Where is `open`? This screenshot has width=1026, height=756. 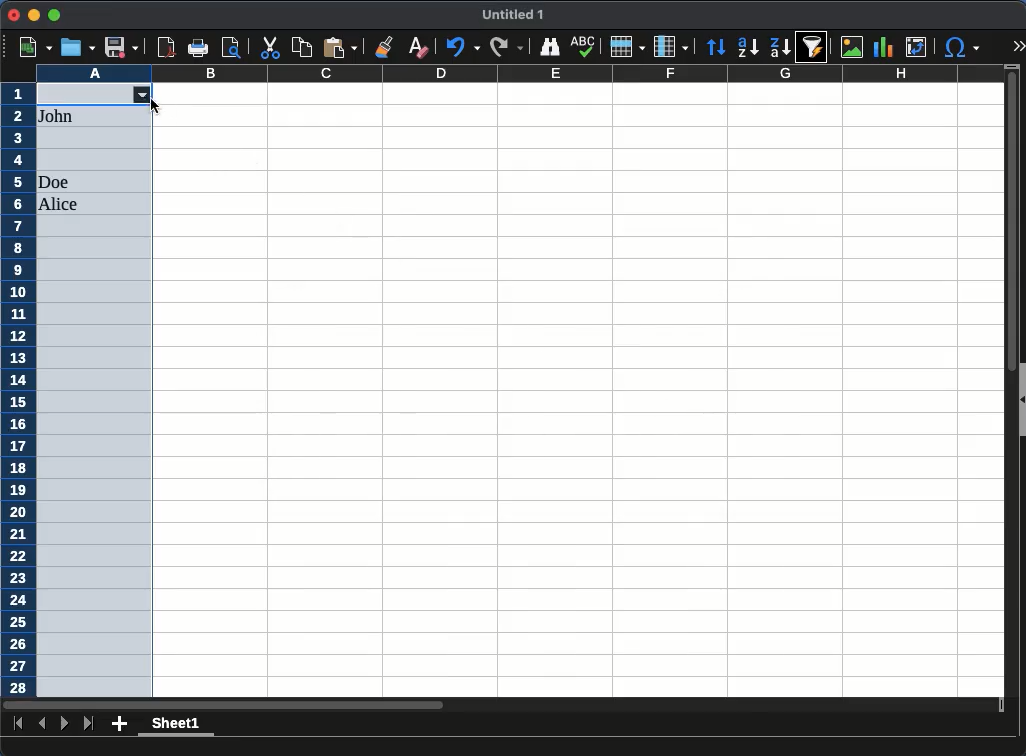
open is located at coordinates (78, 47).